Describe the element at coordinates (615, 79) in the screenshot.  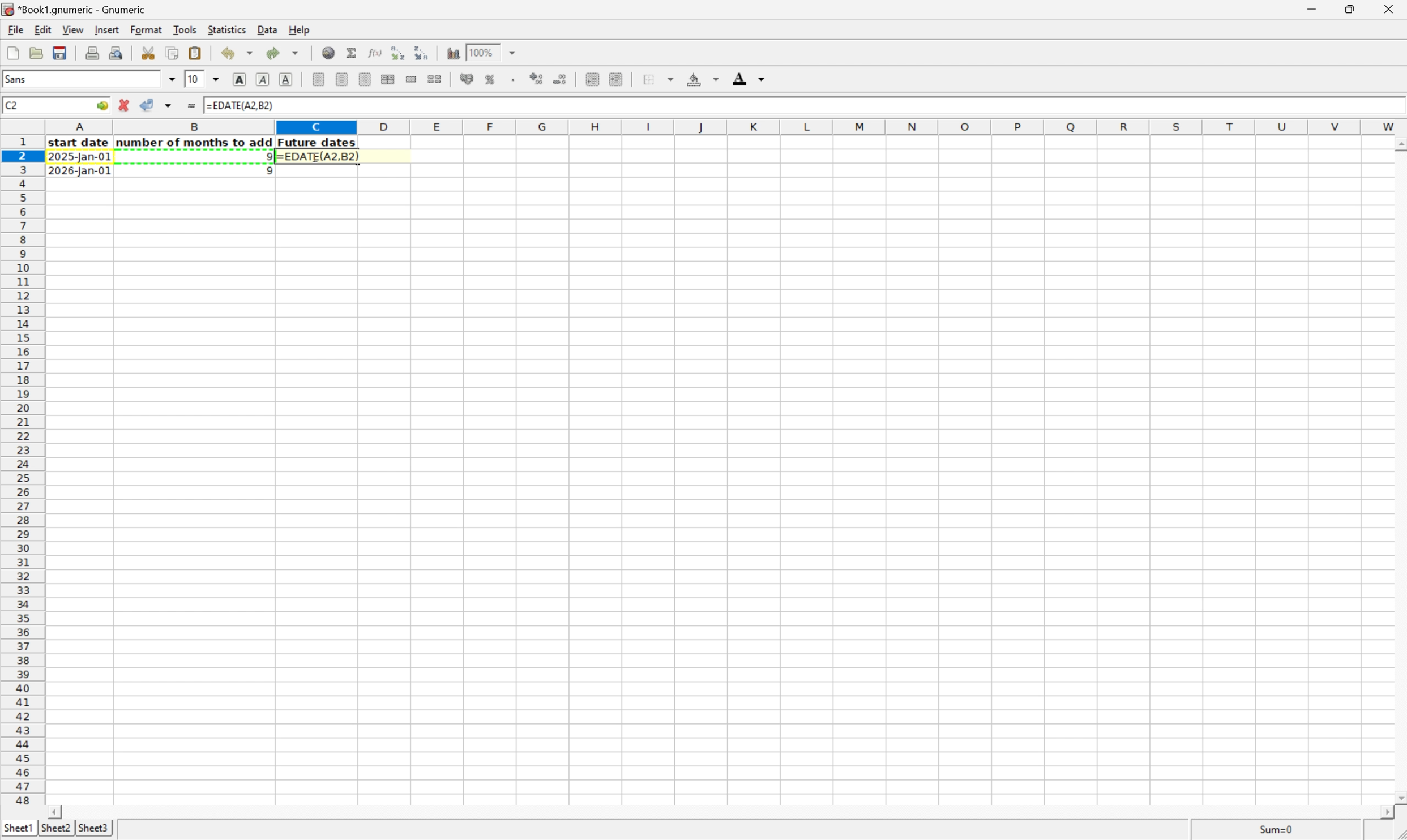
I see `Increase indent, and align the contents to the left` at that location.